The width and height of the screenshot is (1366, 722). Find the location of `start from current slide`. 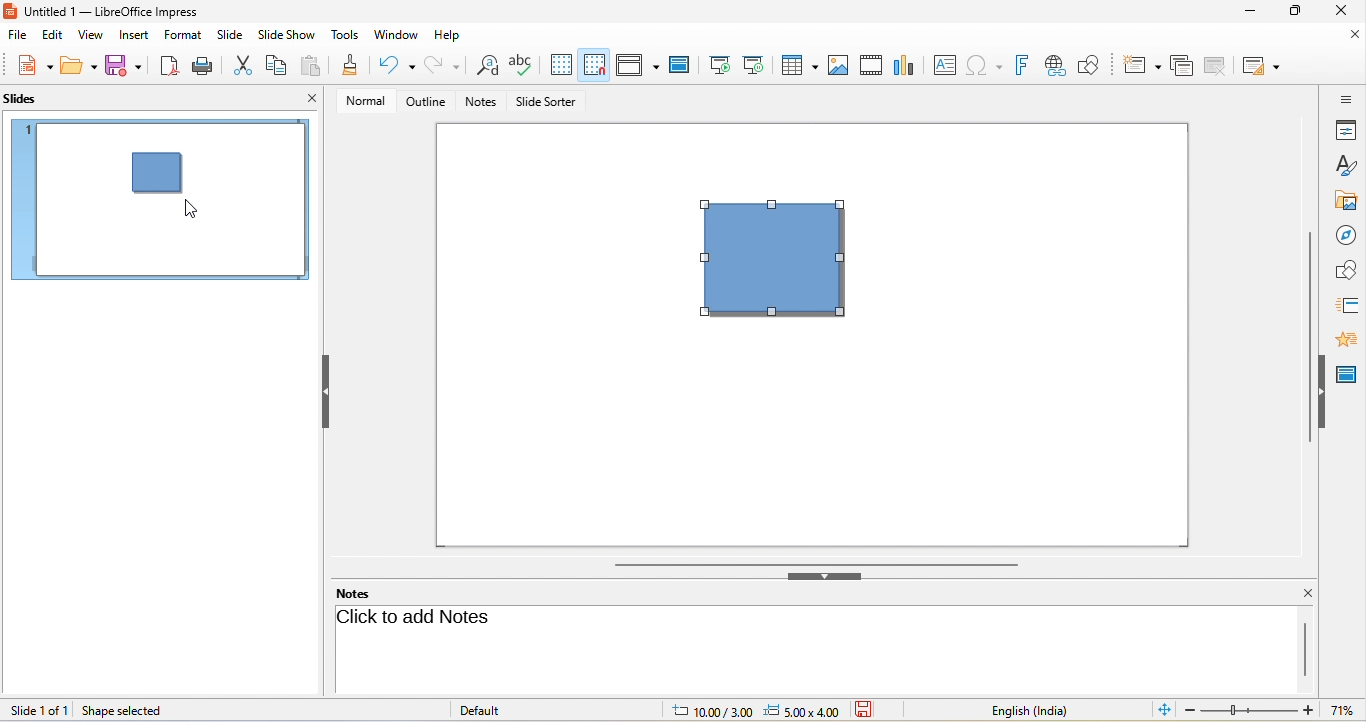

start from current slide is located at coordinates (757, 67).